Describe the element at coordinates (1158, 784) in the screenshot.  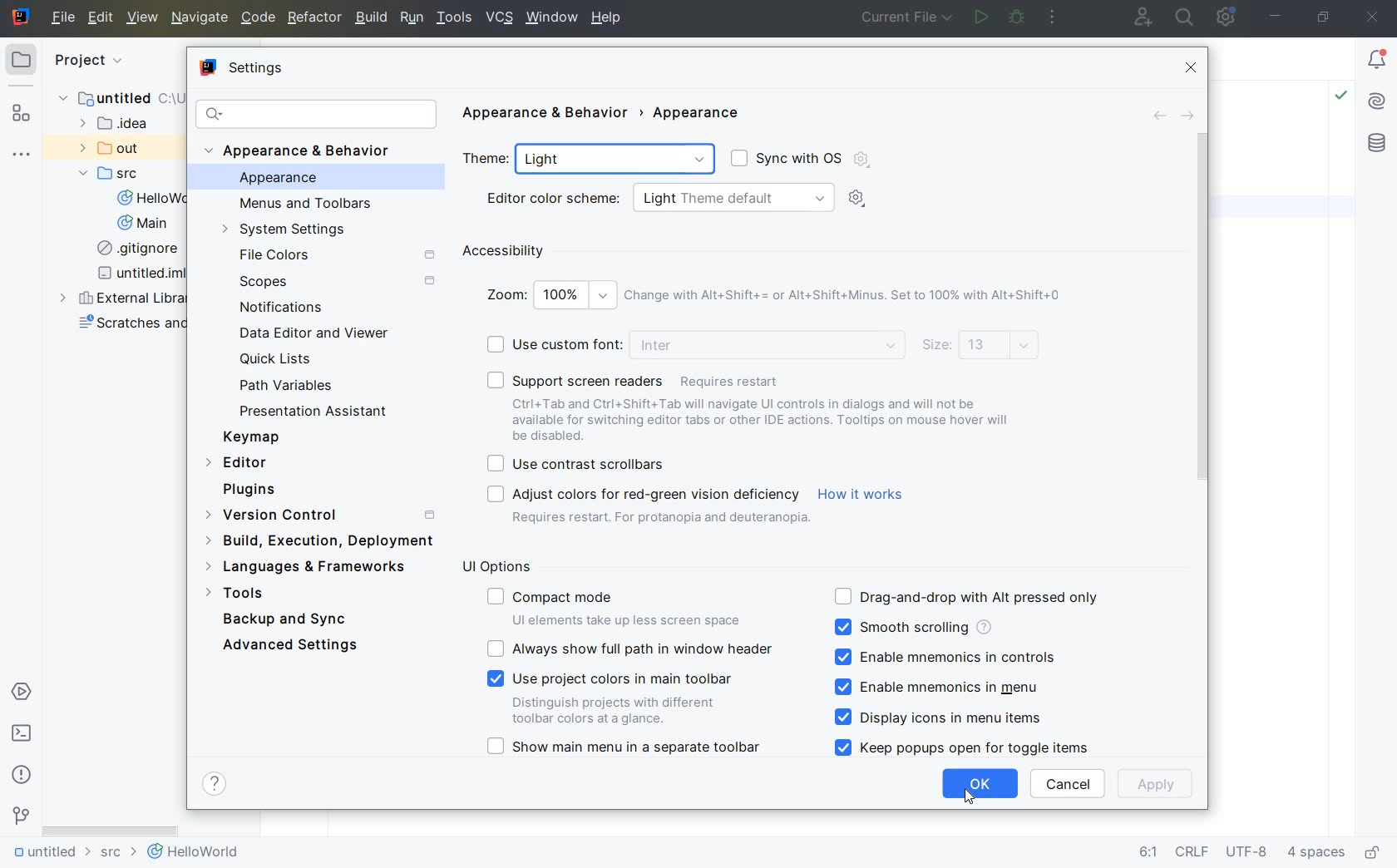
I see `apply` at that location.